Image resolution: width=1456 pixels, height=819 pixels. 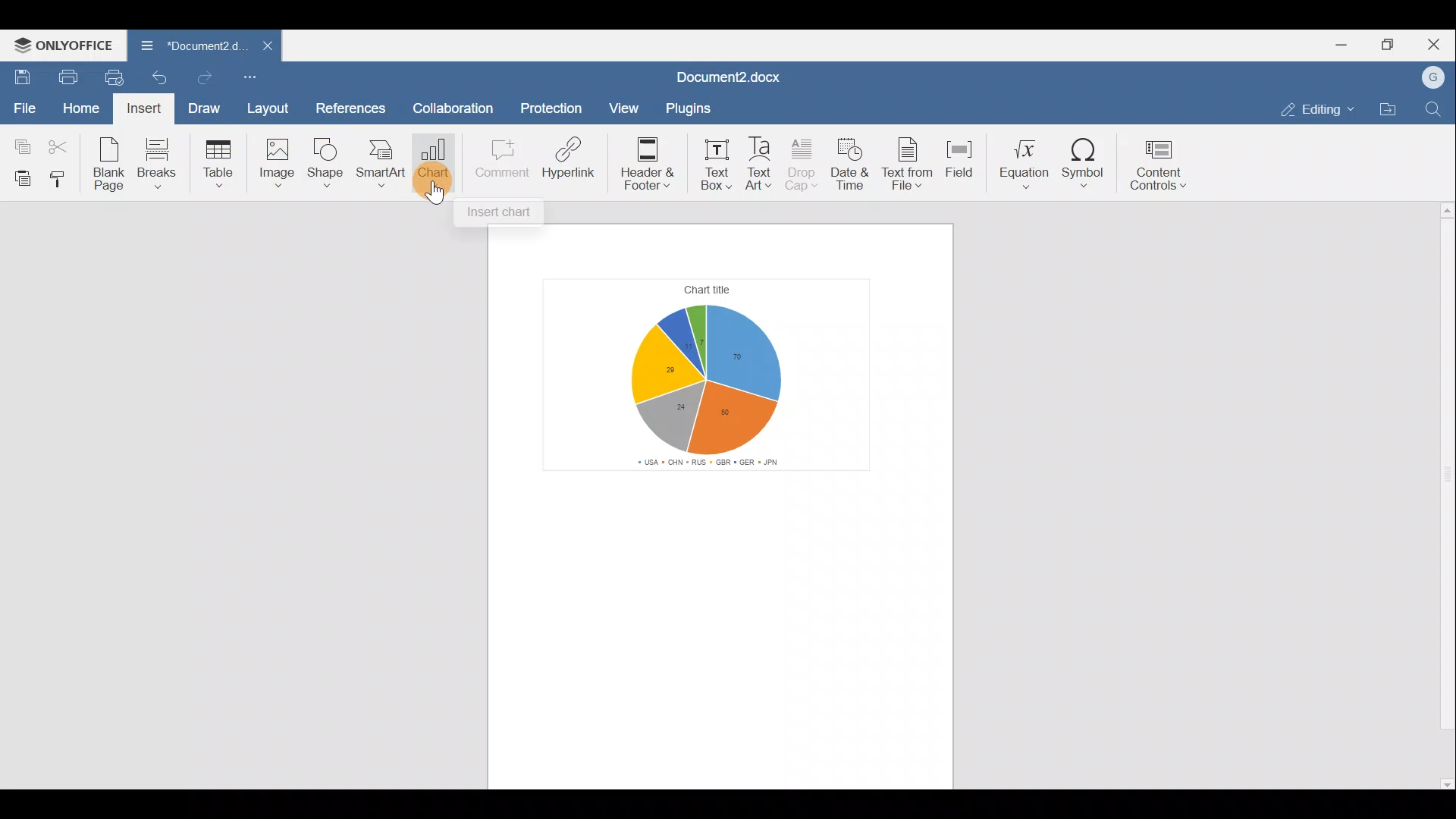 I want to click on Breaks, so click(x=165, y=162).